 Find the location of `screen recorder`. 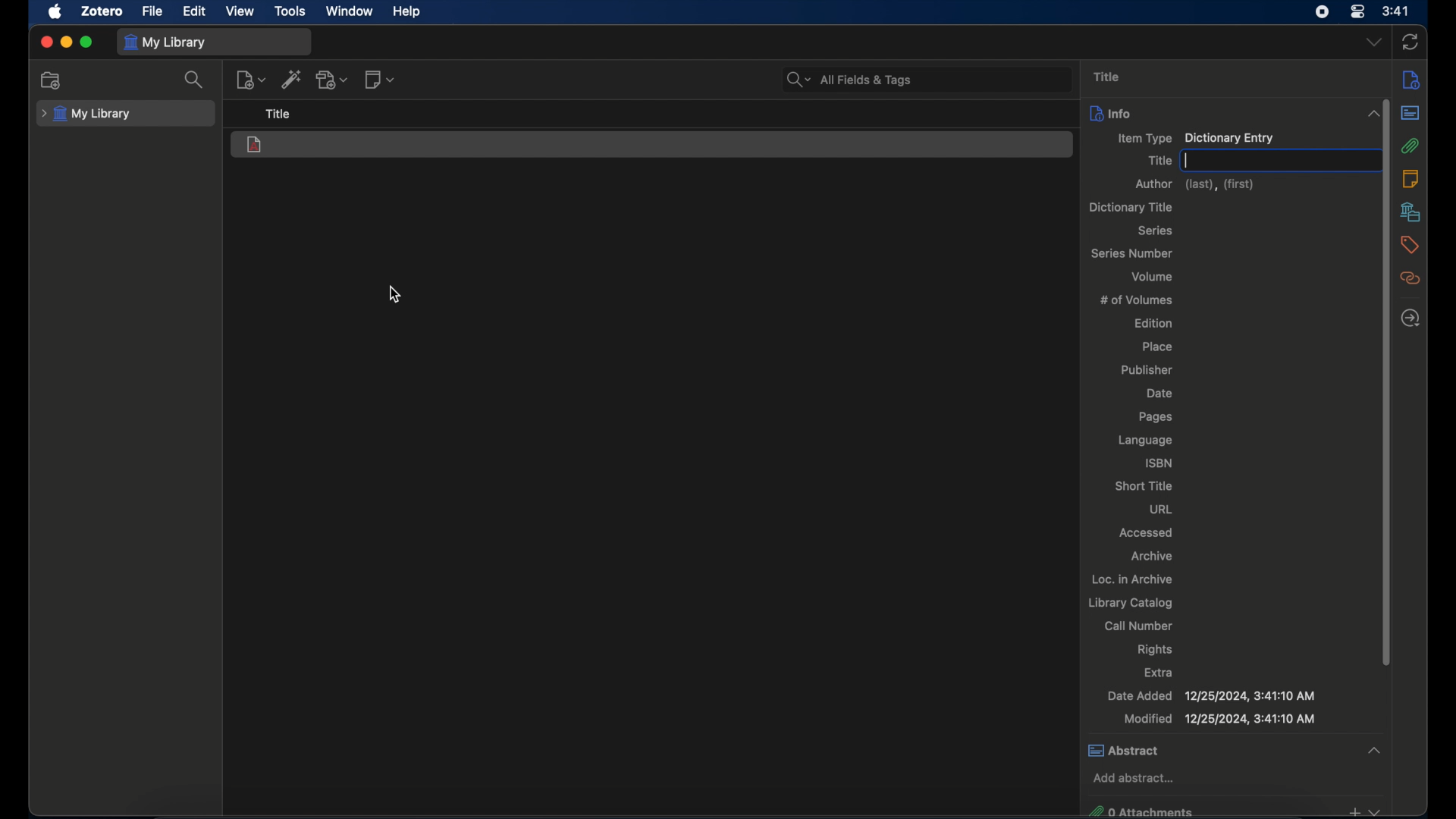

screen recorder is located at coordinates (1323, 12).